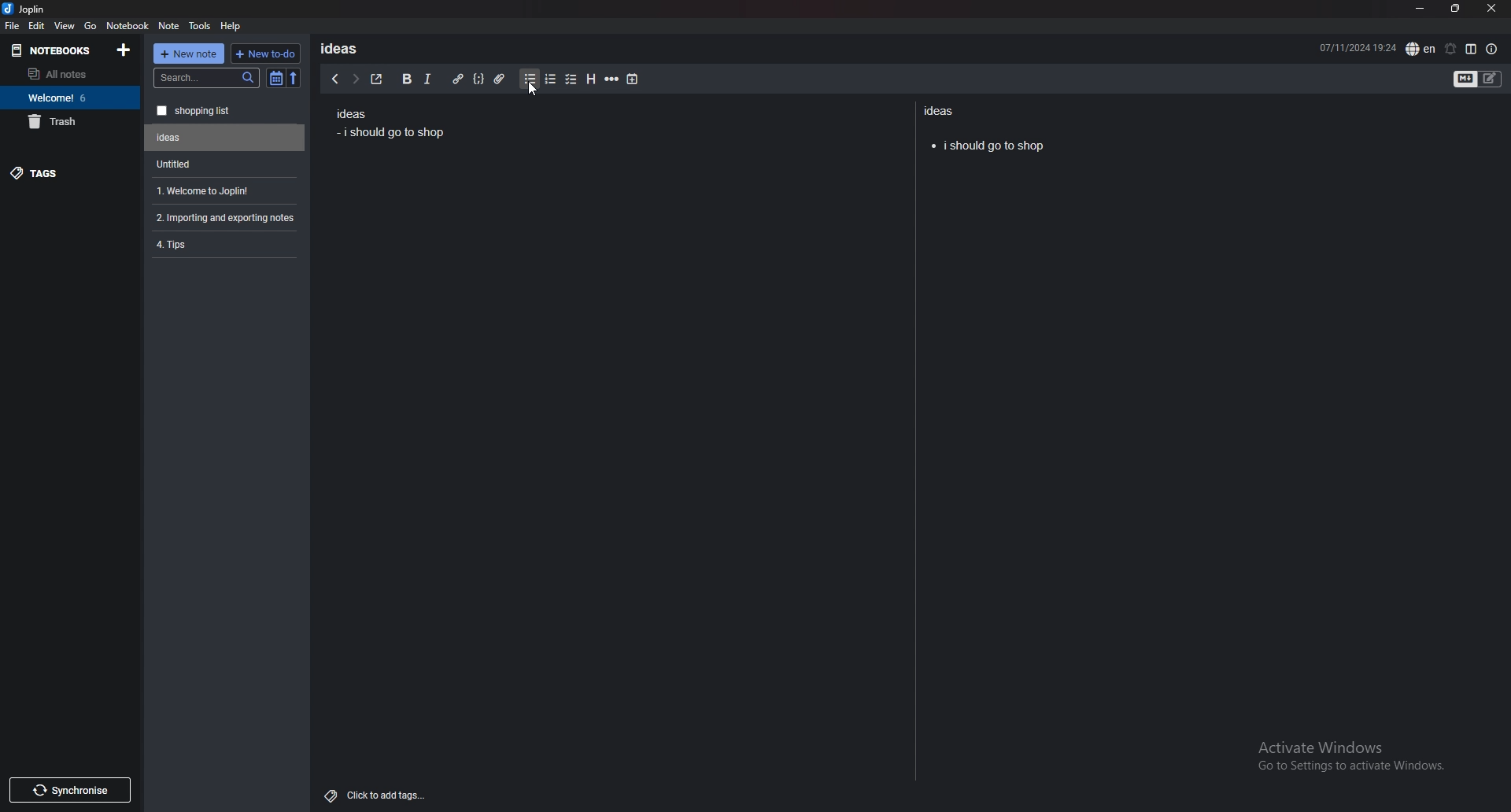 This screenshot has width=1511, height=812. What do you see at coordinates (405, 79) in the screenshot?
I see `bold` at bounding box center [405, 79].